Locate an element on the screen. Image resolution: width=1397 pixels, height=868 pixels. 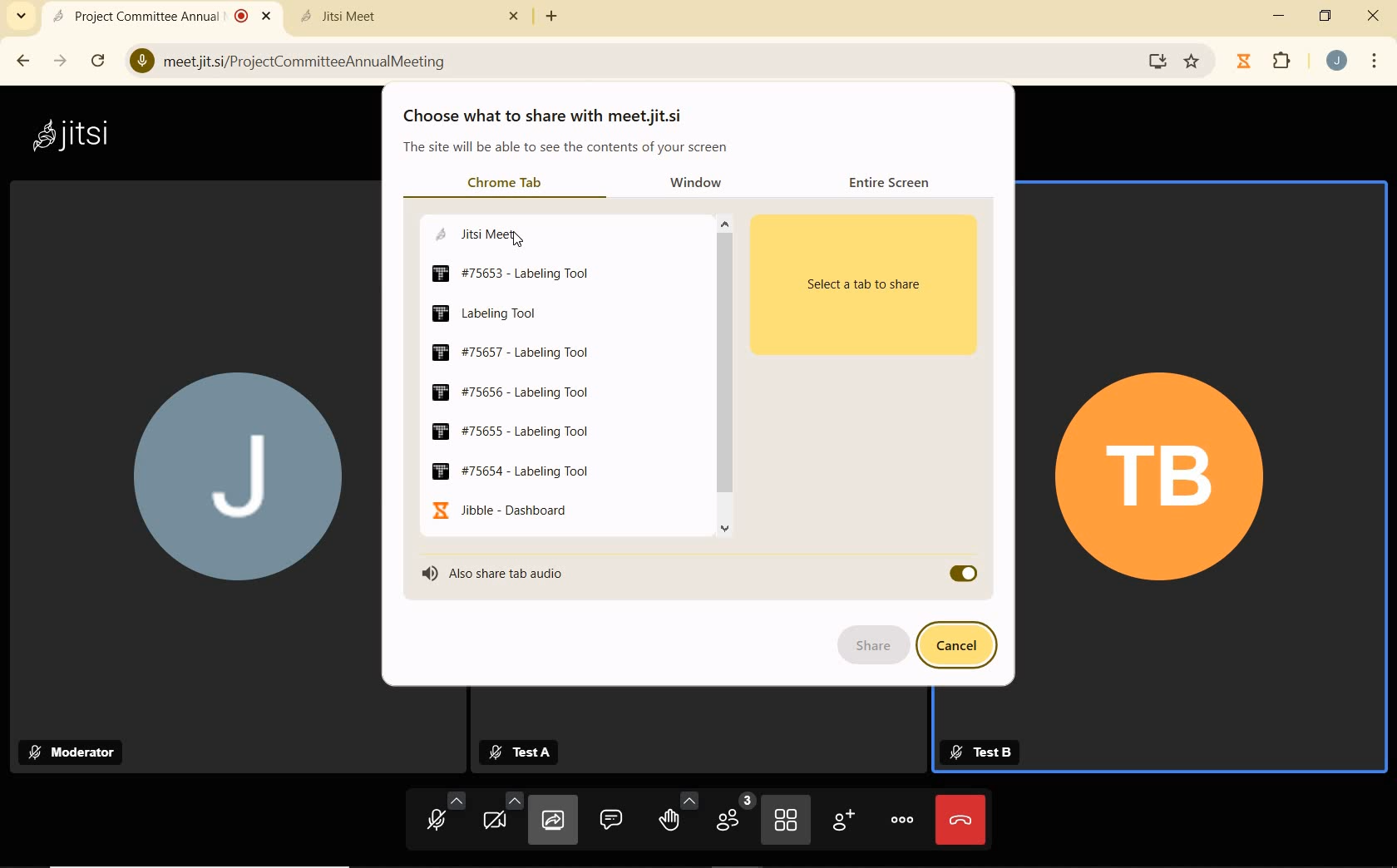
ACCOUNT is located at coordinates (1337, 61).